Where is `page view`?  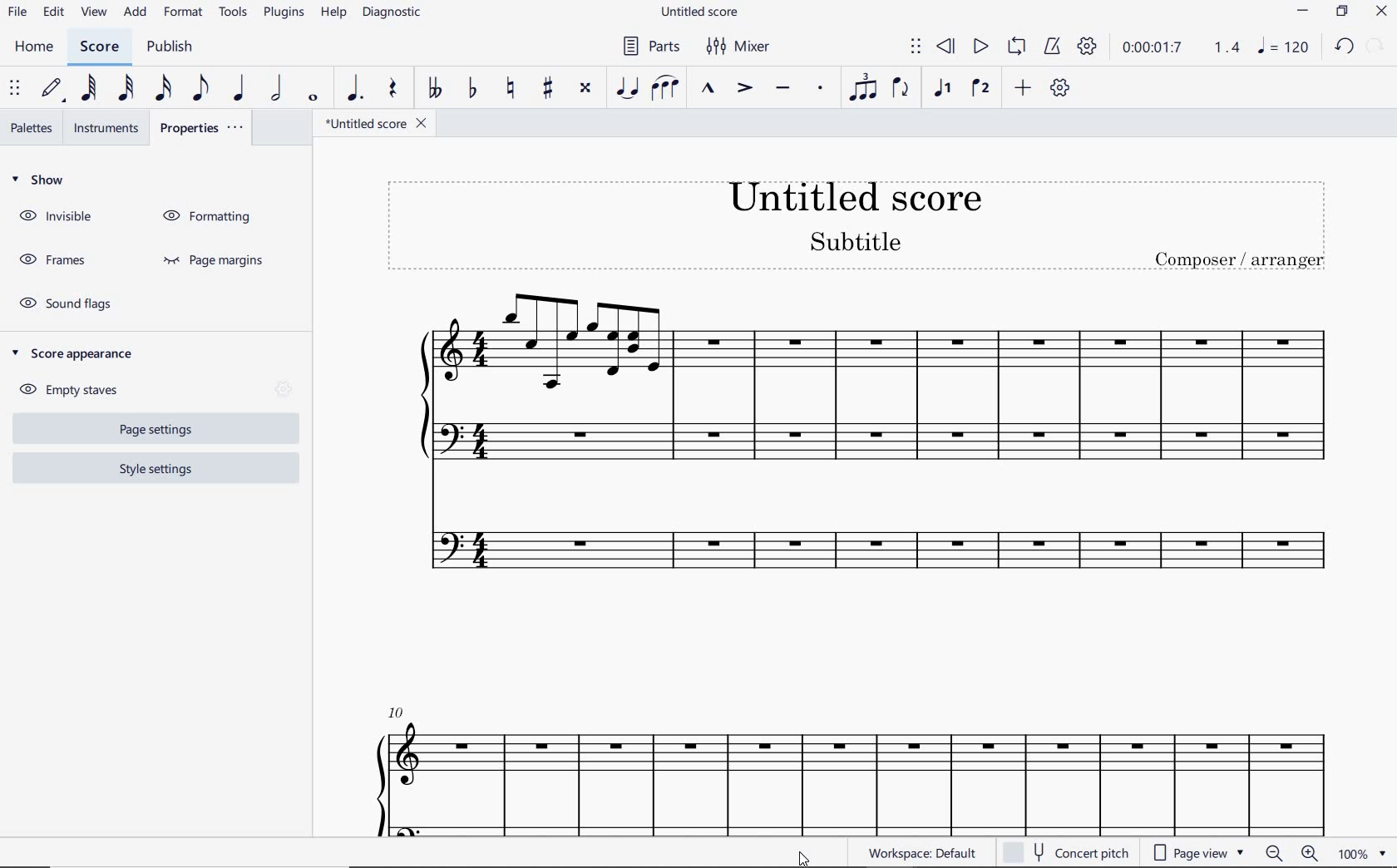
page view is located at coordinates (1197, 852).